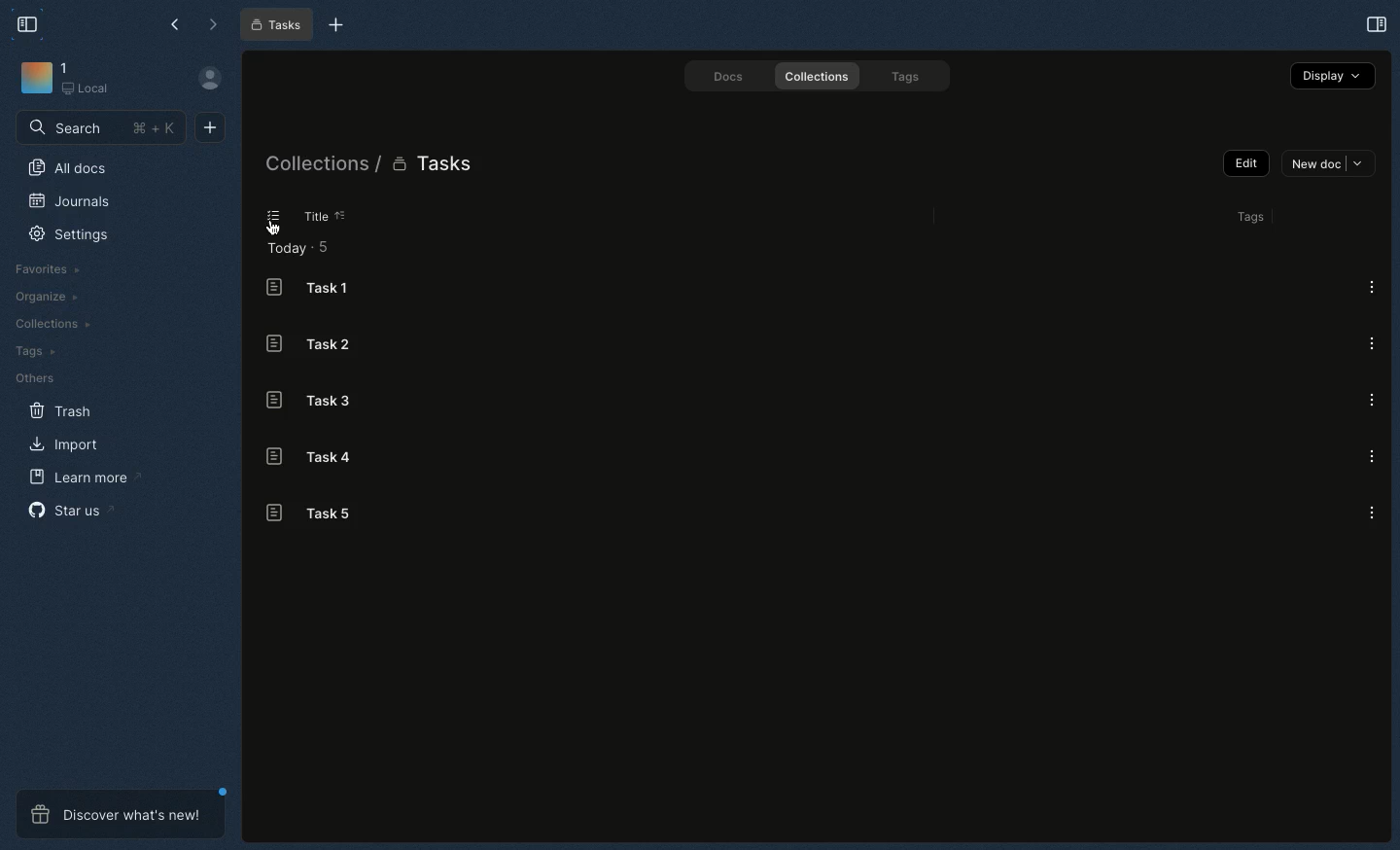 This screenshot has width=1400, height=850. I want to click on All docs, so click(71, 167).